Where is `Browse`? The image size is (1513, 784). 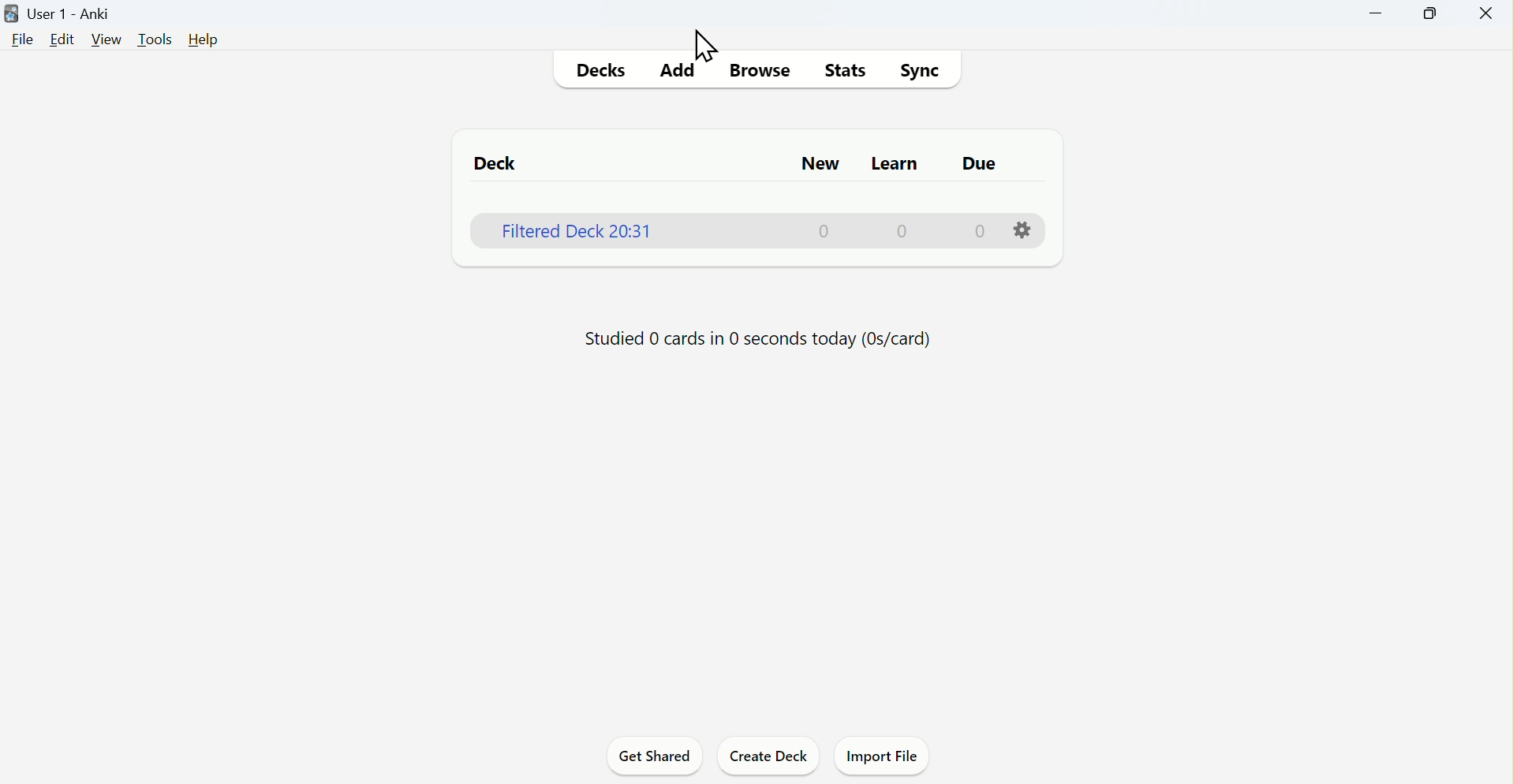
Browse is located at coordinates (764, 73).